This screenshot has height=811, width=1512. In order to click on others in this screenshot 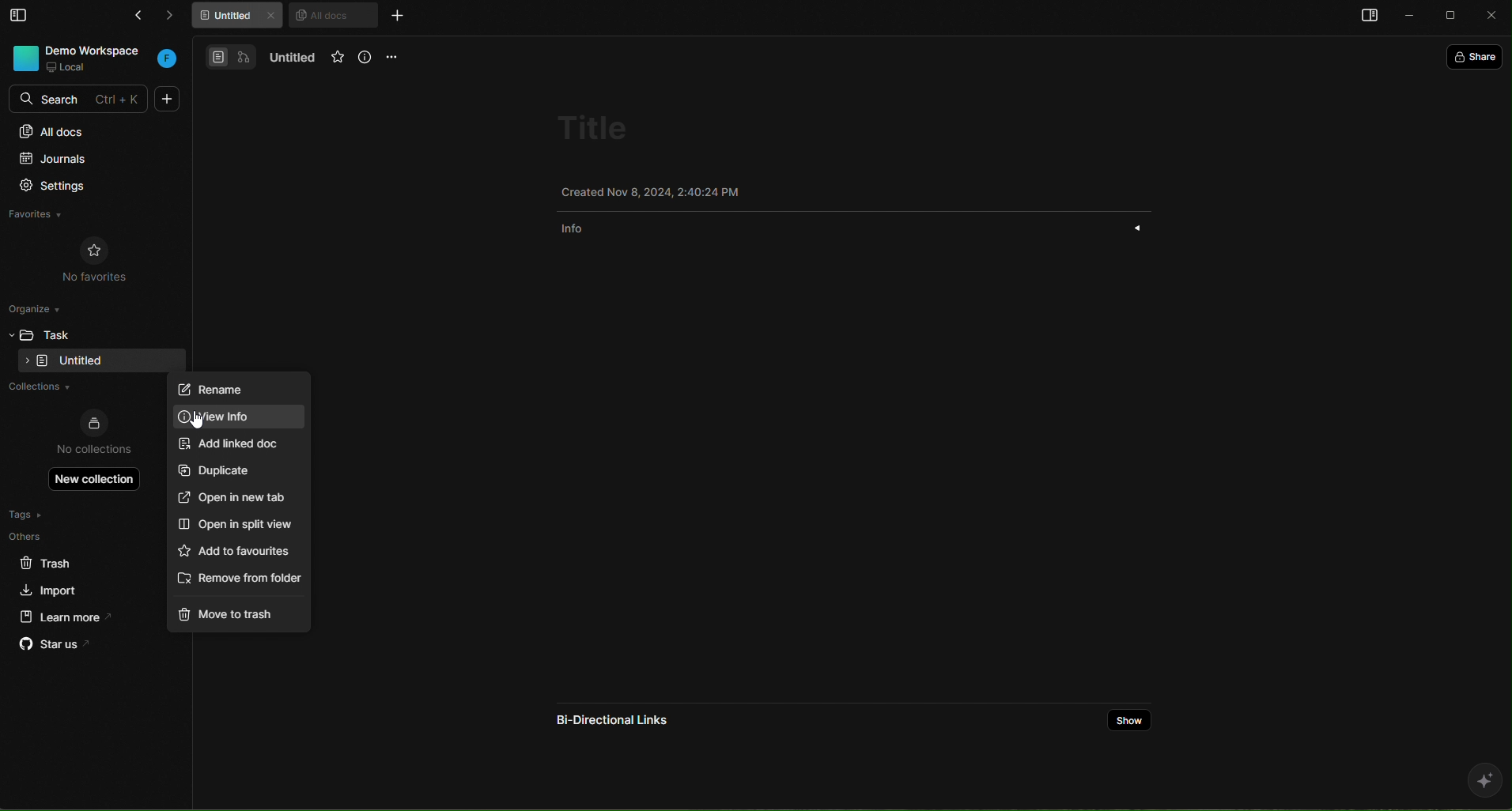, I will do `click(59, 536)`.